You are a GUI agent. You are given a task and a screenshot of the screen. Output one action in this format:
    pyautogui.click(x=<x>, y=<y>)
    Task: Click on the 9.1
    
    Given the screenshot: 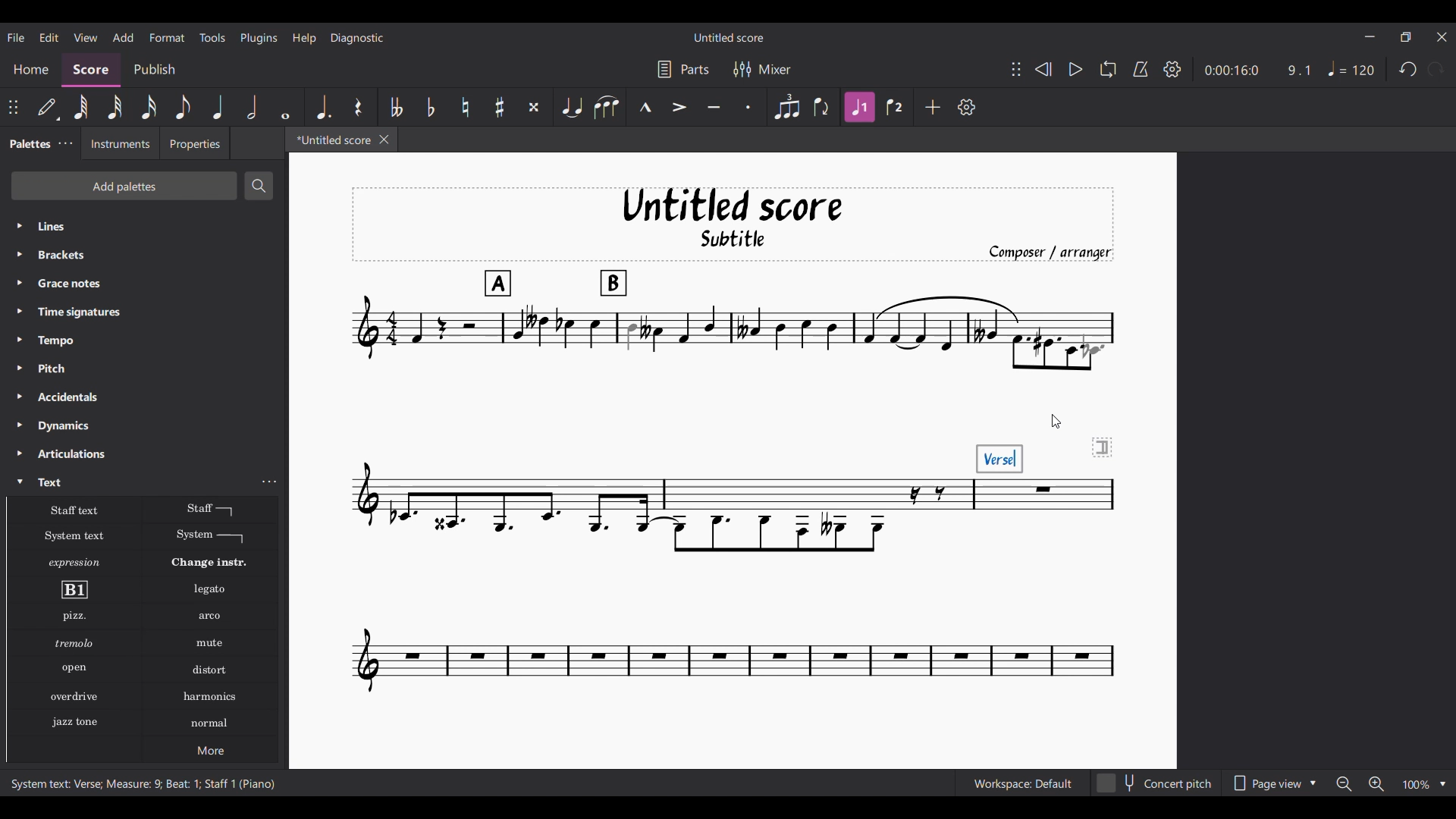 What is the action you would take?
    pyautogui.click(x=1298, y=70)
    